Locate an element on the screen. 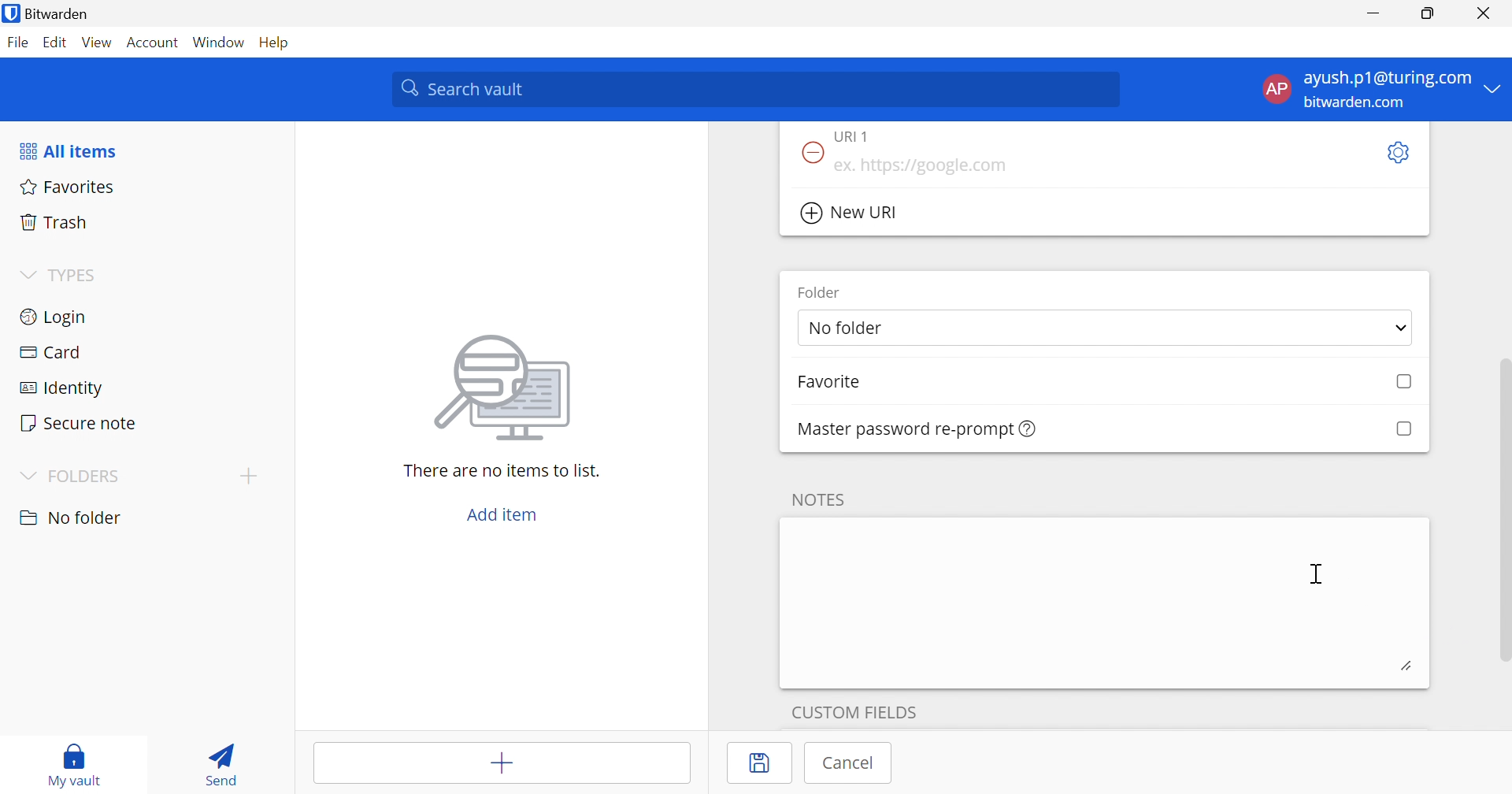 The width and height of the screenshot is (1512, 794). FOLDERS is located at coordinates (87, 477).